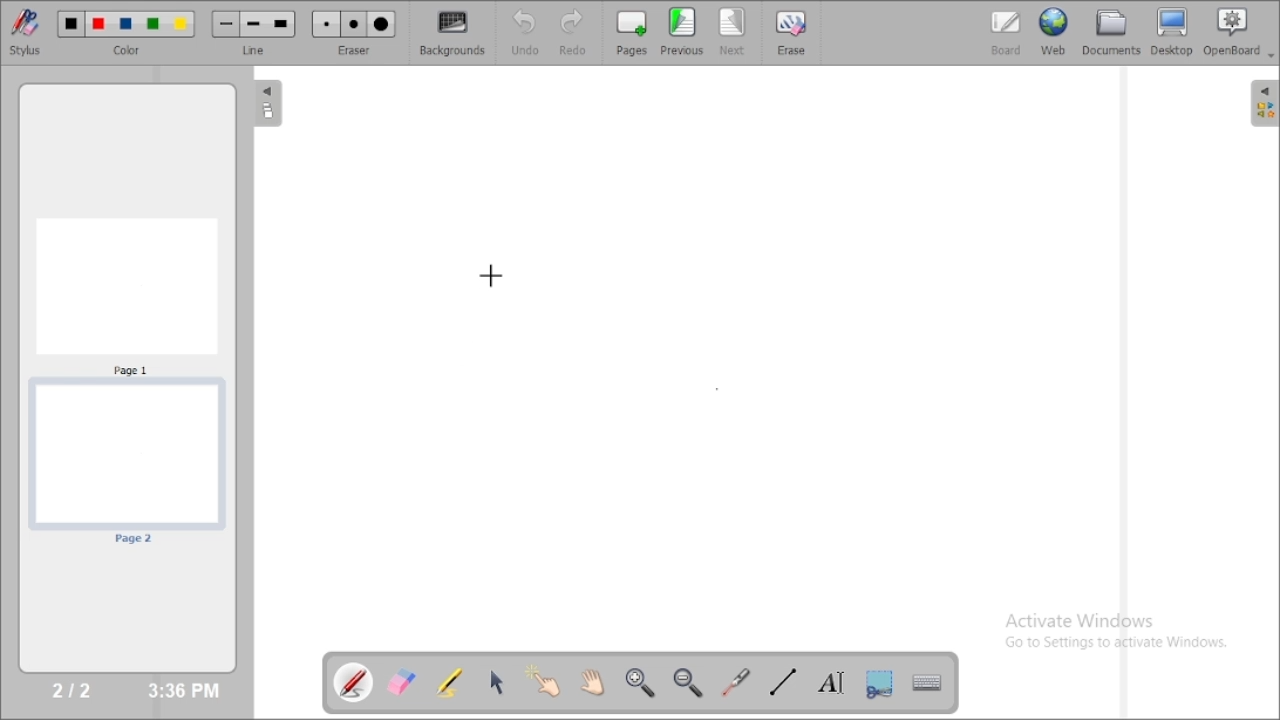 Image resolution: width=1280 pixels, height=720 pixels. What do you see at coordinates (926, 682) in the screenshot?
I see `display virtual keyboard` at bounding box center [926, 682].